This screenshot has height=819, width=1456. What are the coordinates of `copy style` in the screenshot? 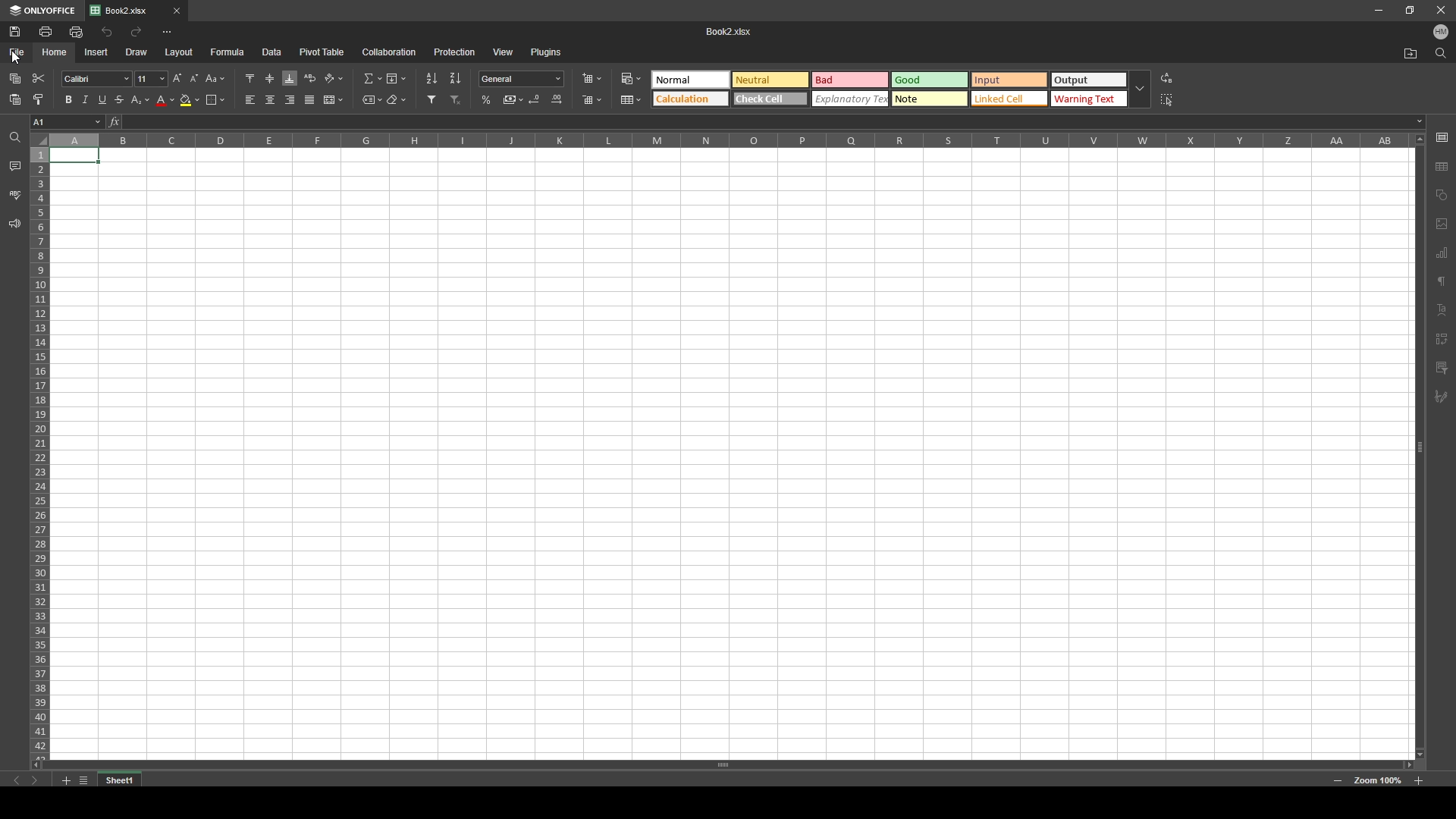 It's located at (39, 99).